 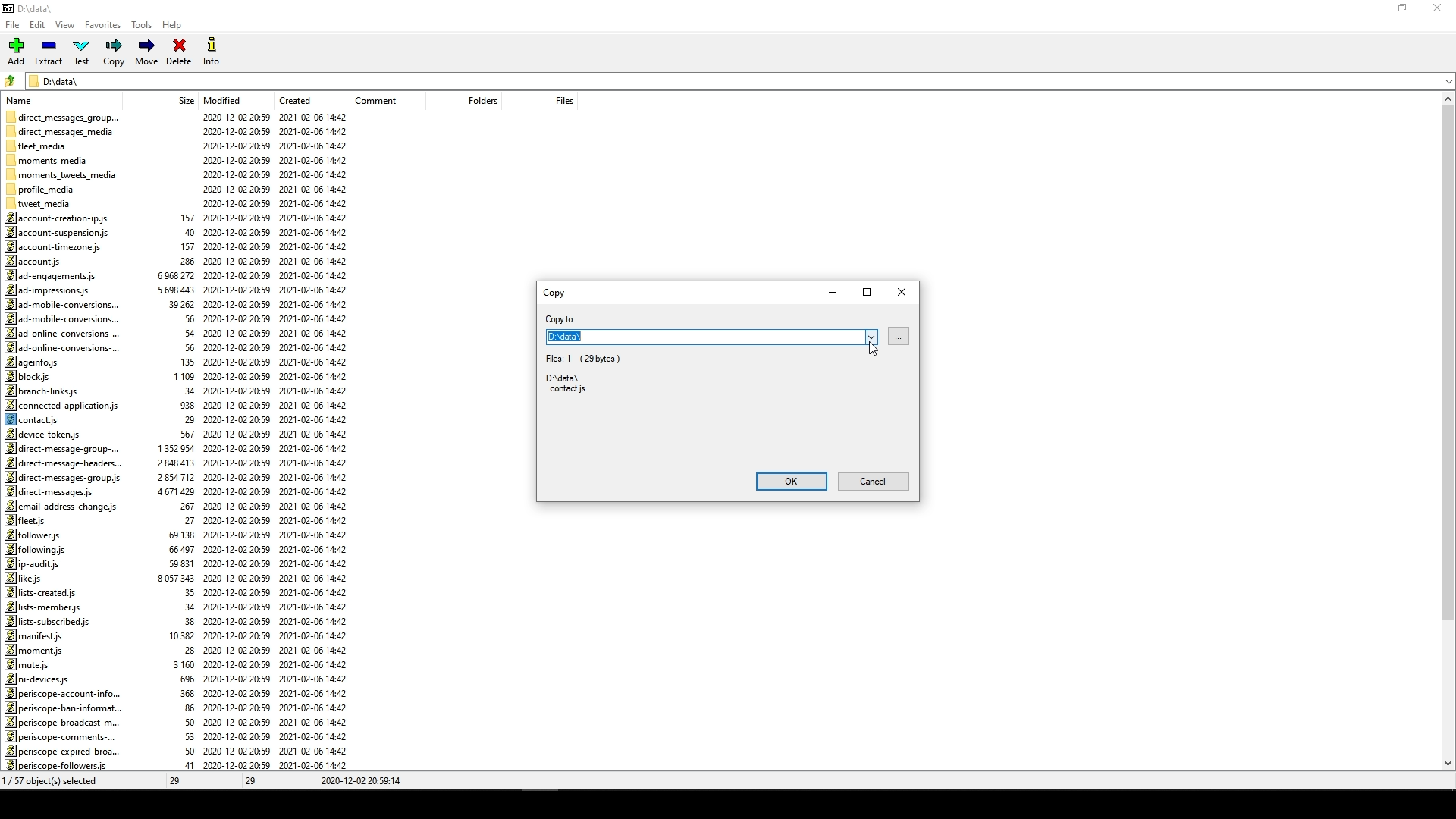 I want to click on created, so click(x=294, y=99).